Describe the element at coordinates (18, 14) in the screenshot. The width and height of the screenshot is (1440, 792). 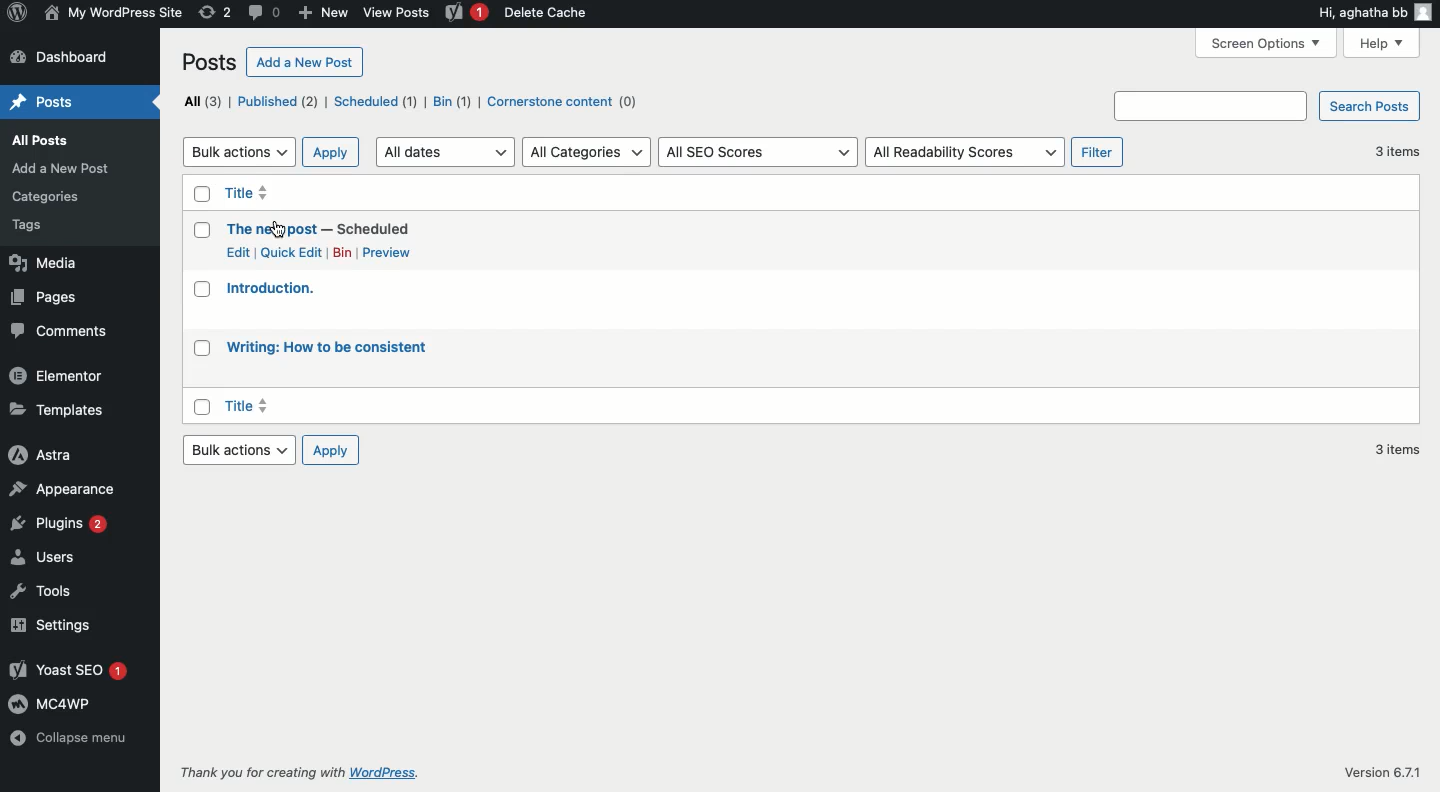
I see `Logo` at that location.